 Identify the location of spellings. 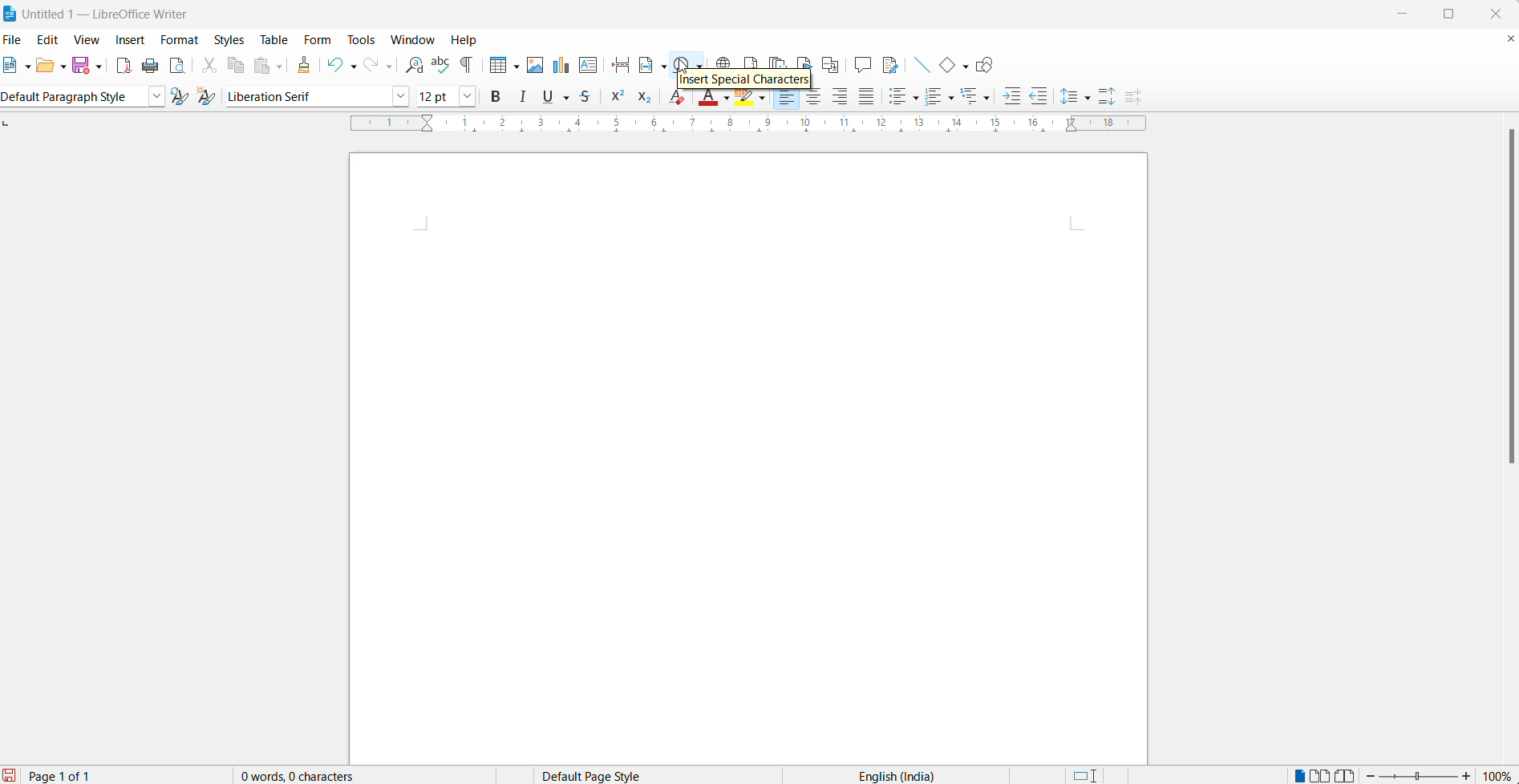
(439, 64).